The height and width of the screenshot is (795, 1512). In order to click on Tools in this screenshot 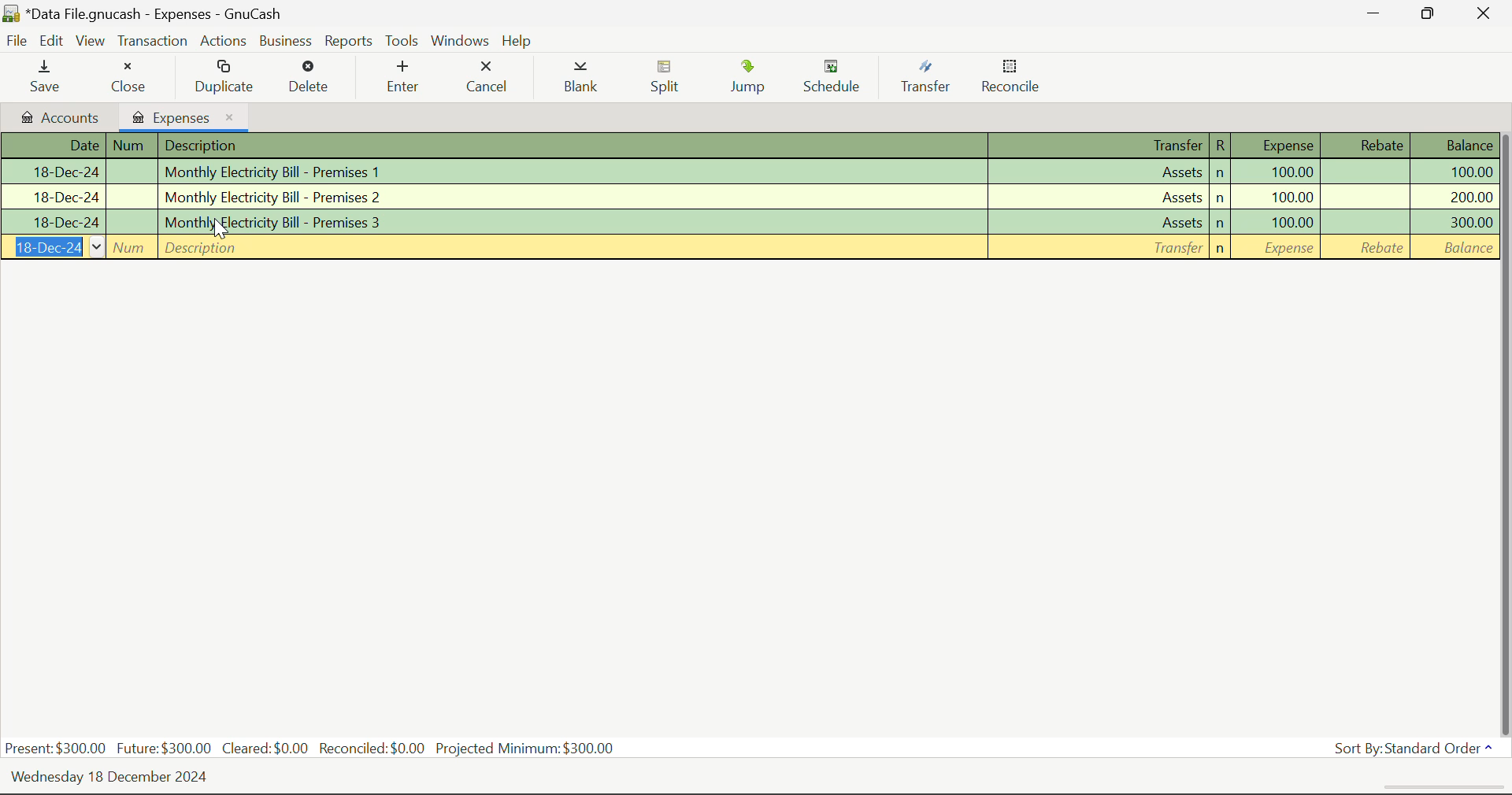, I will do `click(402, 42)`.